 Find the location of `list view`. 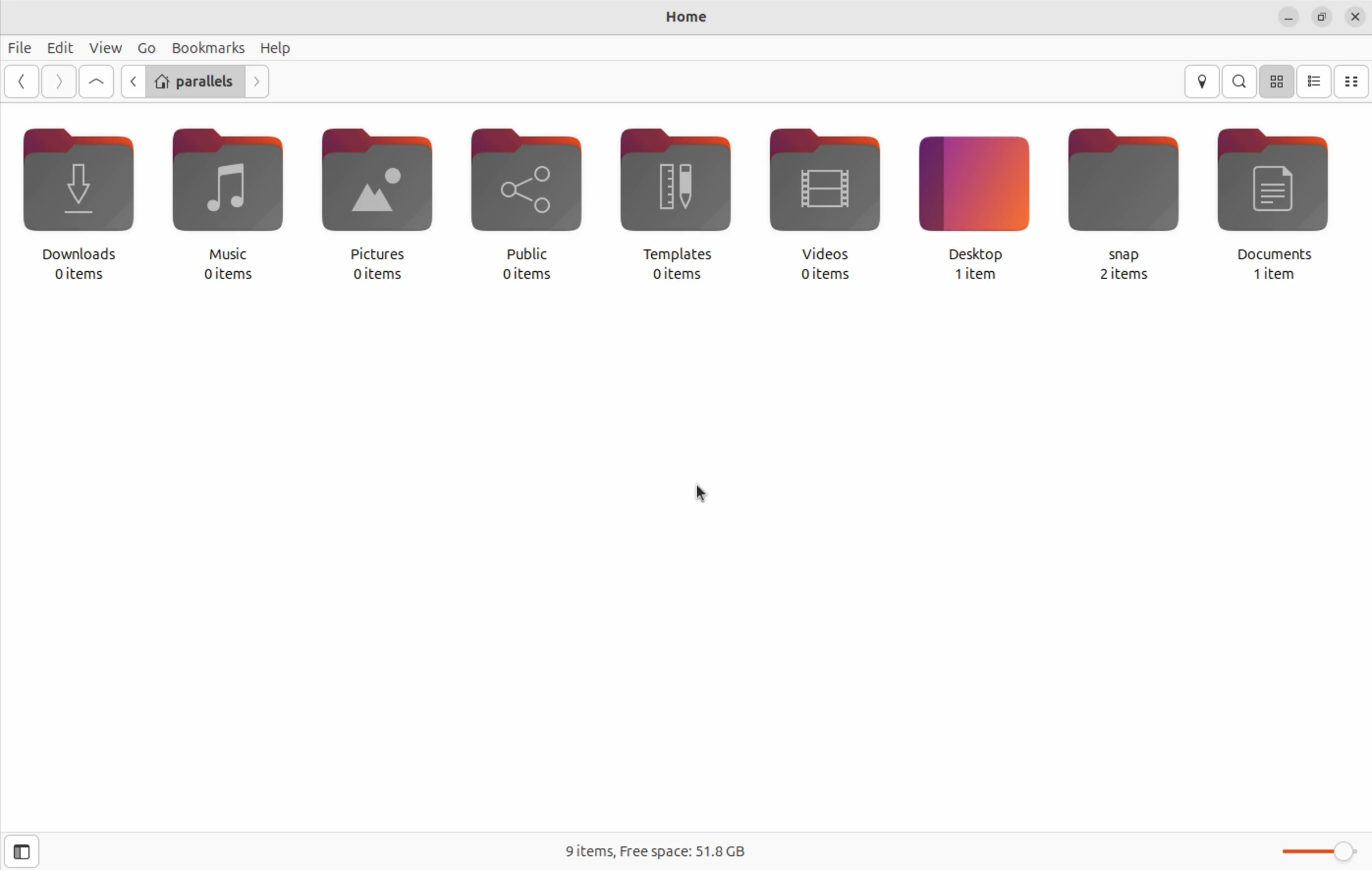

list view is located at coordinates (1315, 81).